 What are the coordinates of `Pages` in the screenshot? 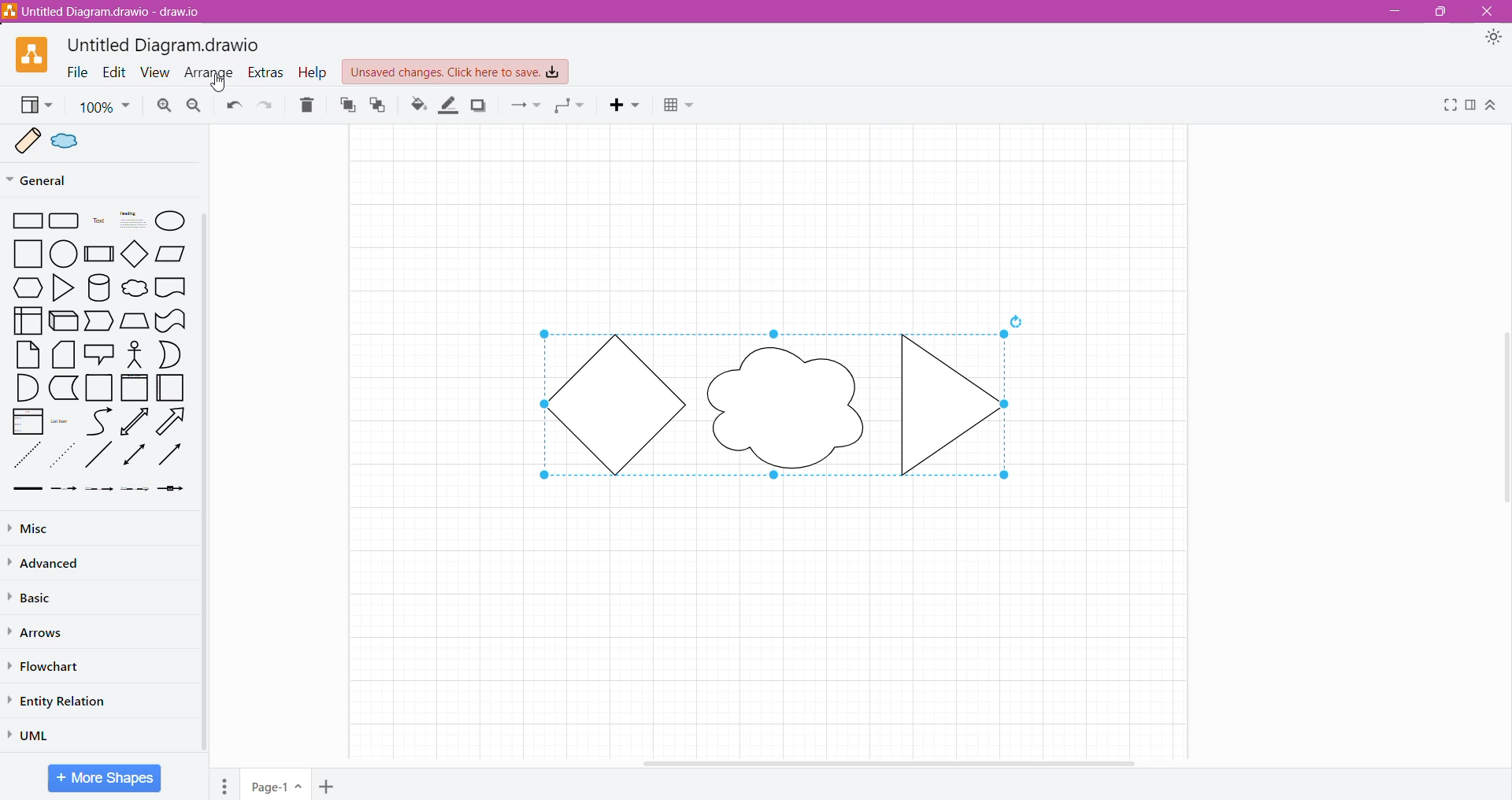 It's located at (220, 783).